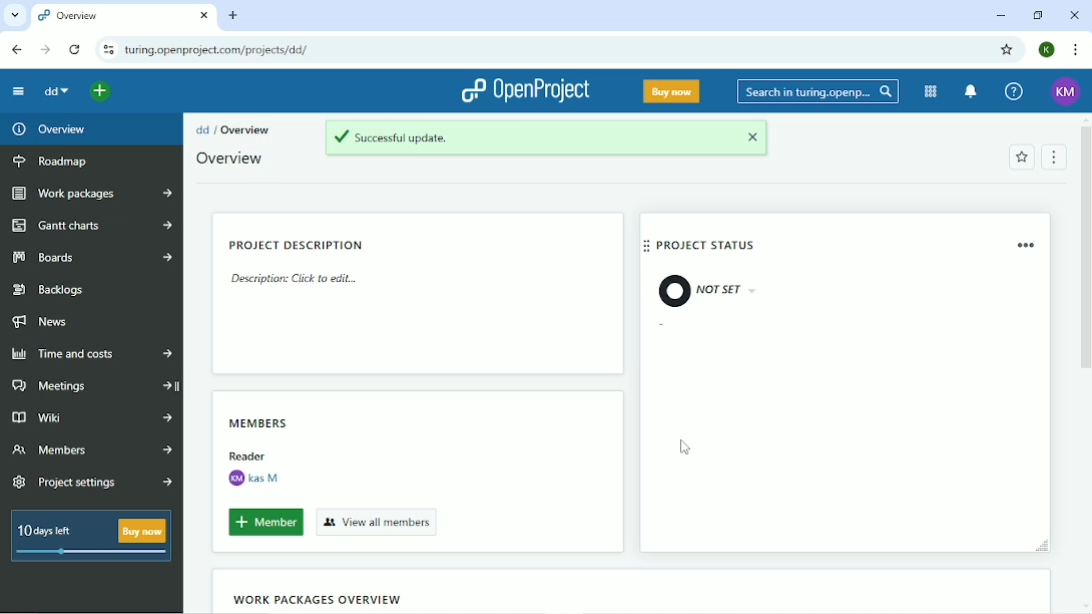  I want to click on To notification center, so click(970, 92).